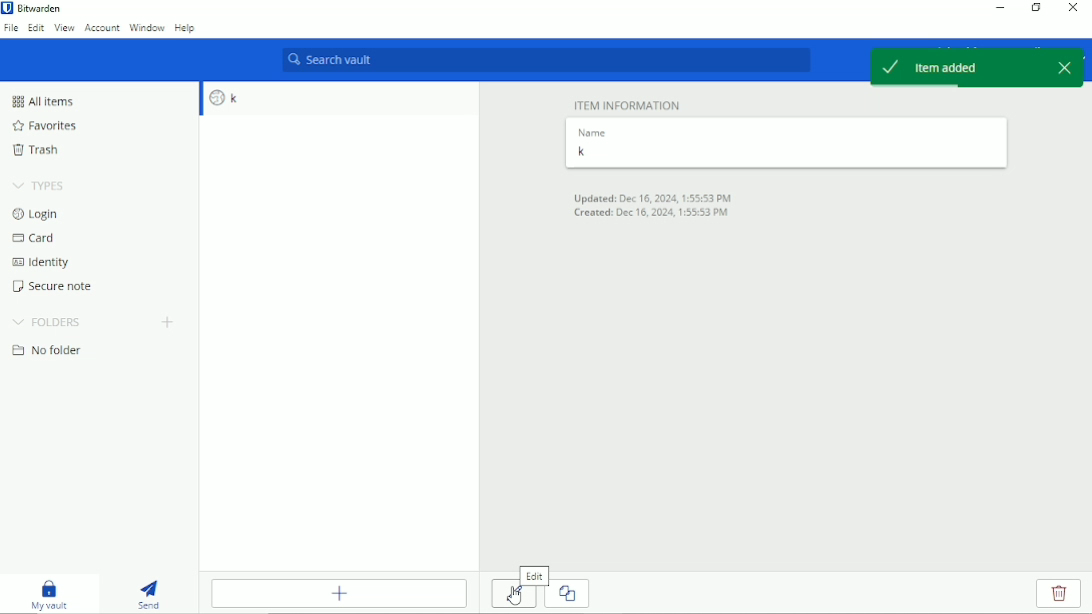 The height and width of the screenshot is (614, 1092). I want to click on Item added, so click(950, 69).